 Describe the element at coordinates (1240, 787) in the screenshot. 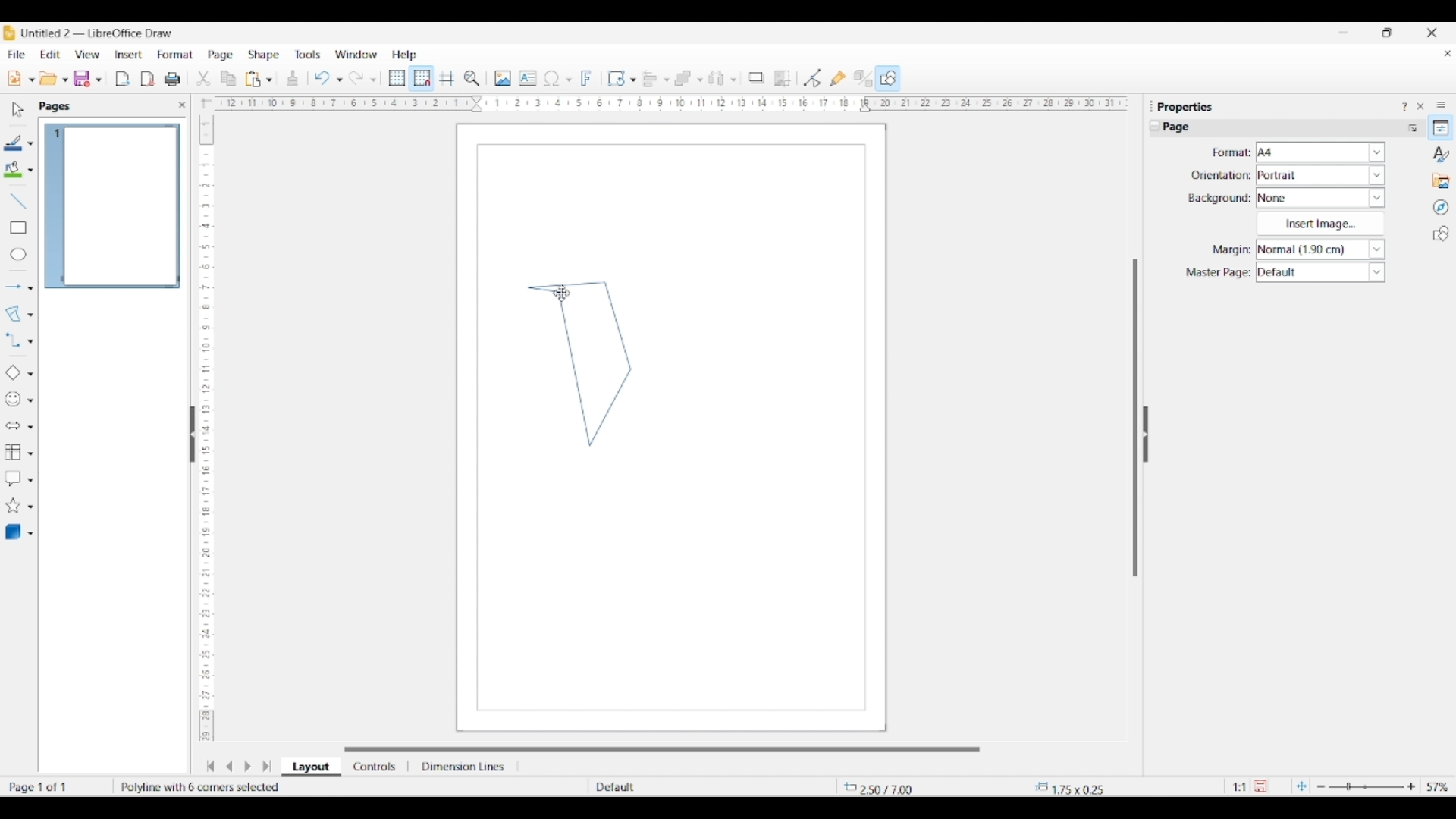

I see `Scaling factor of the document` at that location.